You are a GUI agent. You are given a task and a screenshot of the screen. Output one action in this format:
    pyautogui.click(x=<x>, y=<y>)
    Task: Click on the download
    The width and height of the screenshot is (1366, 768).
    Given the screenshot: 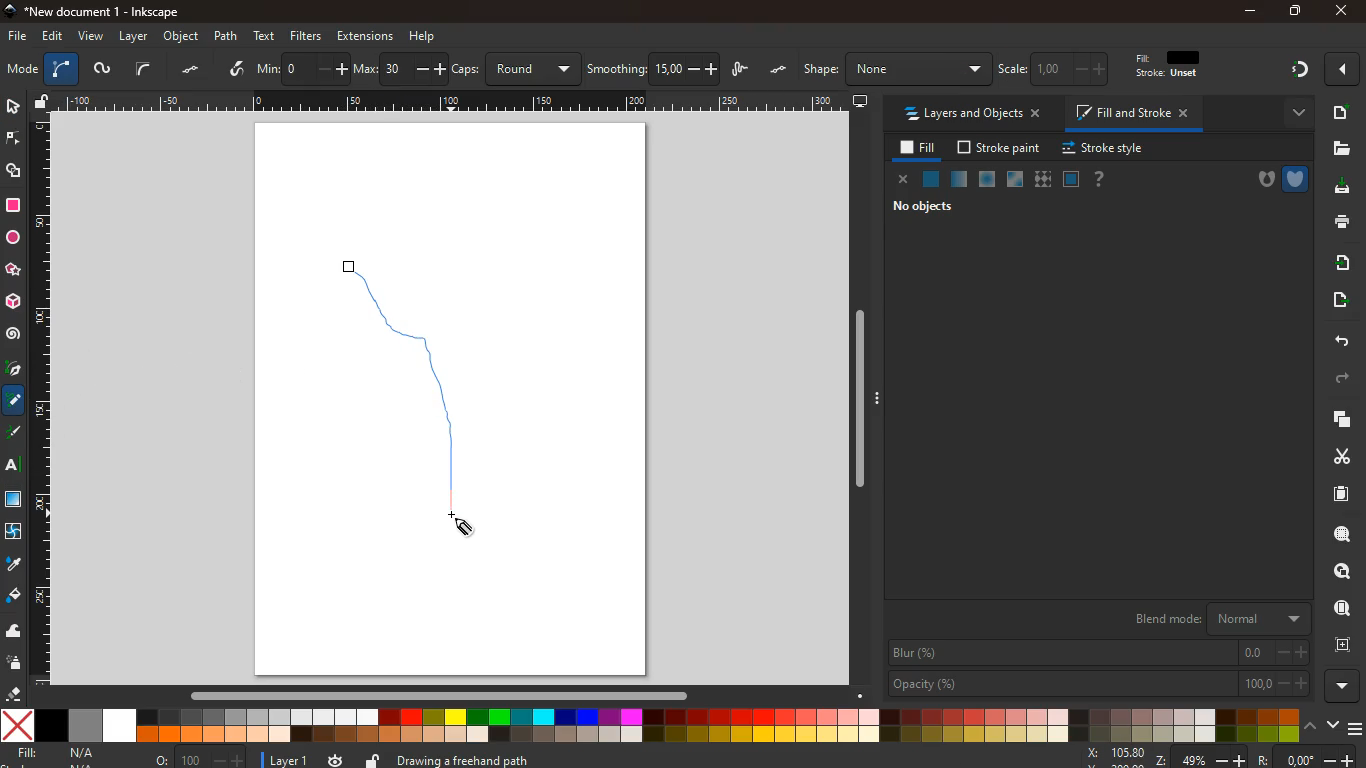 What is the action you would take?
    pyautogui.click(x=1339, y=189)
    